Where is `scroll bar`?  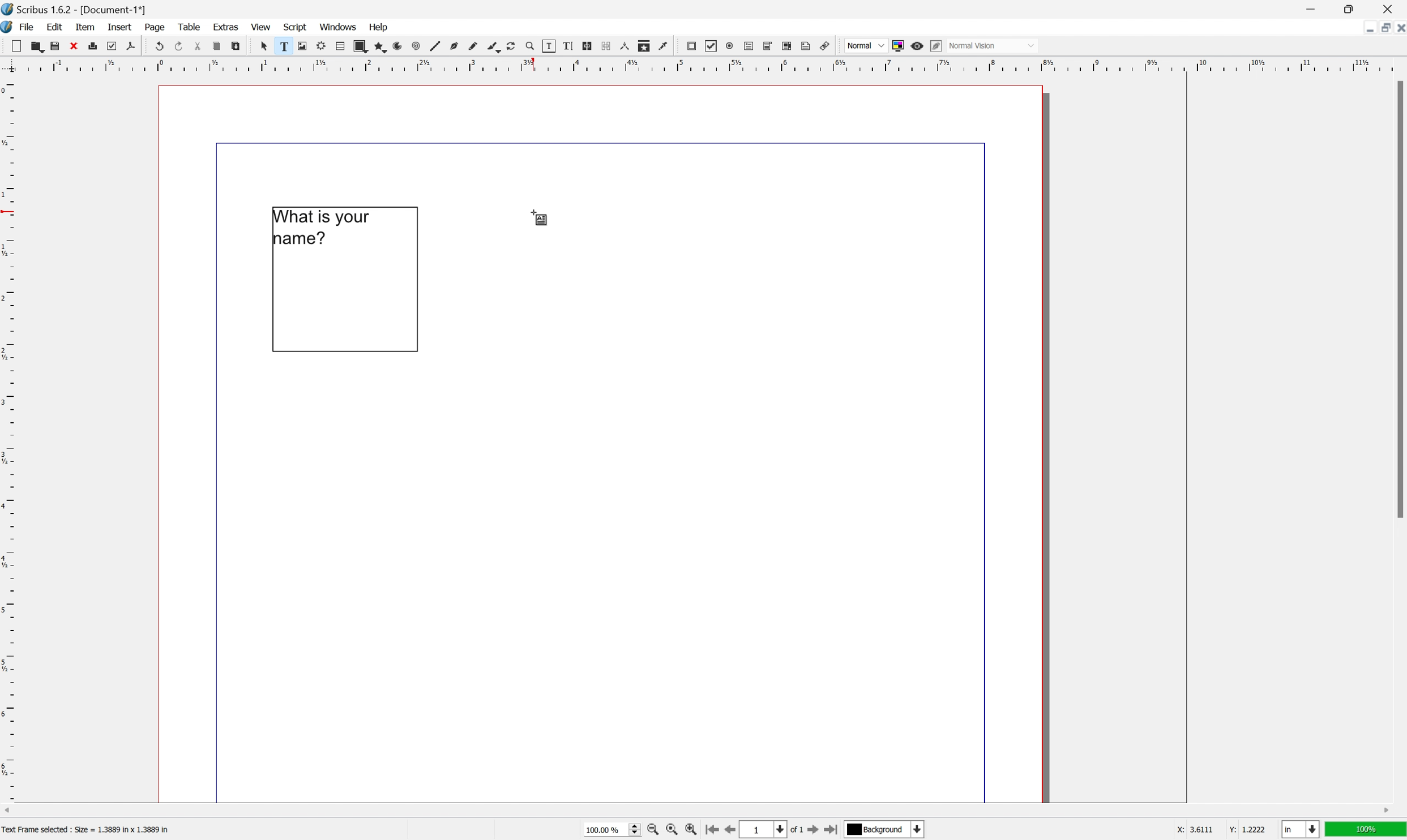
scroll bar is located at coordinates (1398, 299).